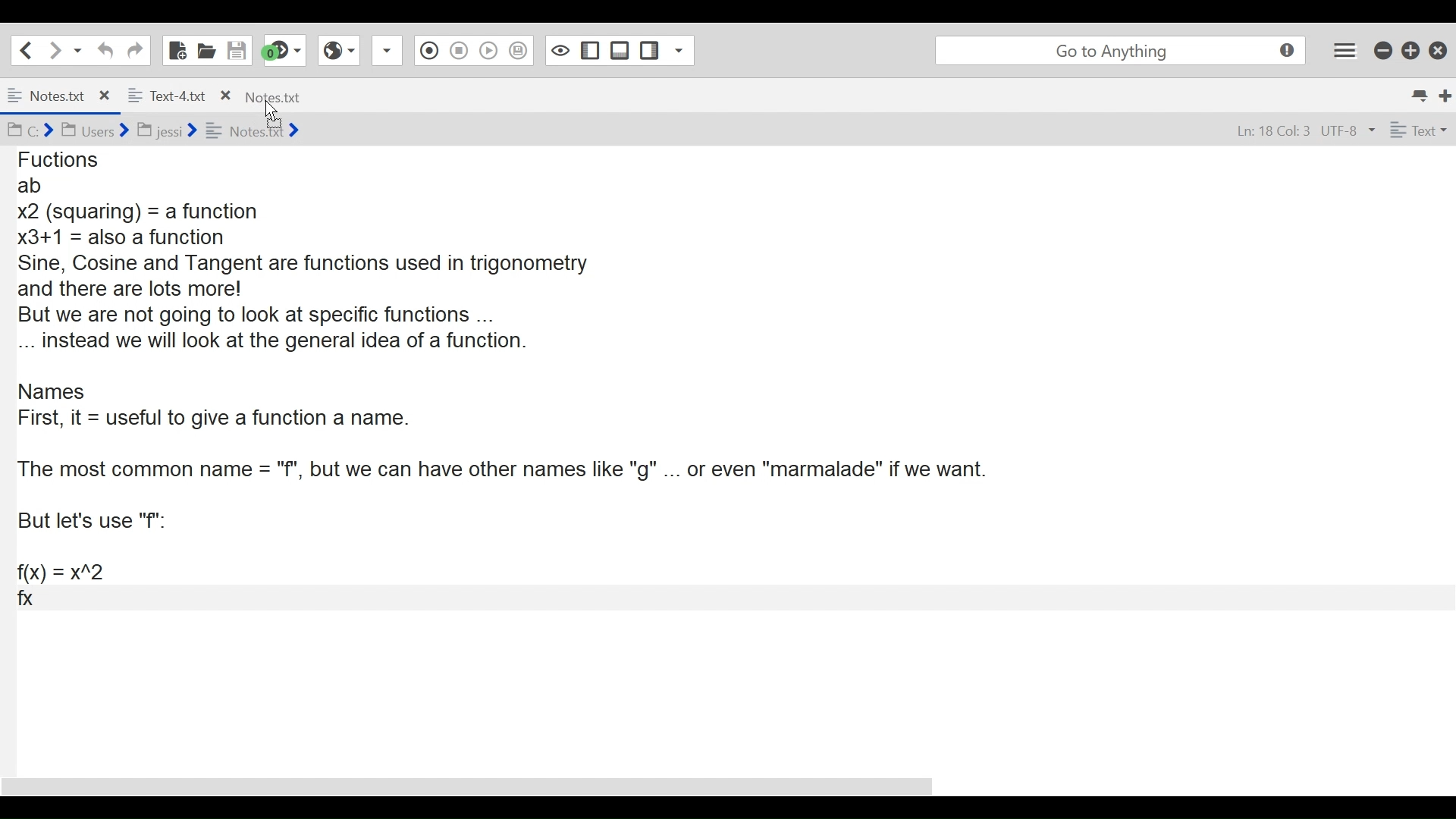 The width and height of the screenshot is (1456, 819). I want to click on text-4.txt, so click(167, 93).